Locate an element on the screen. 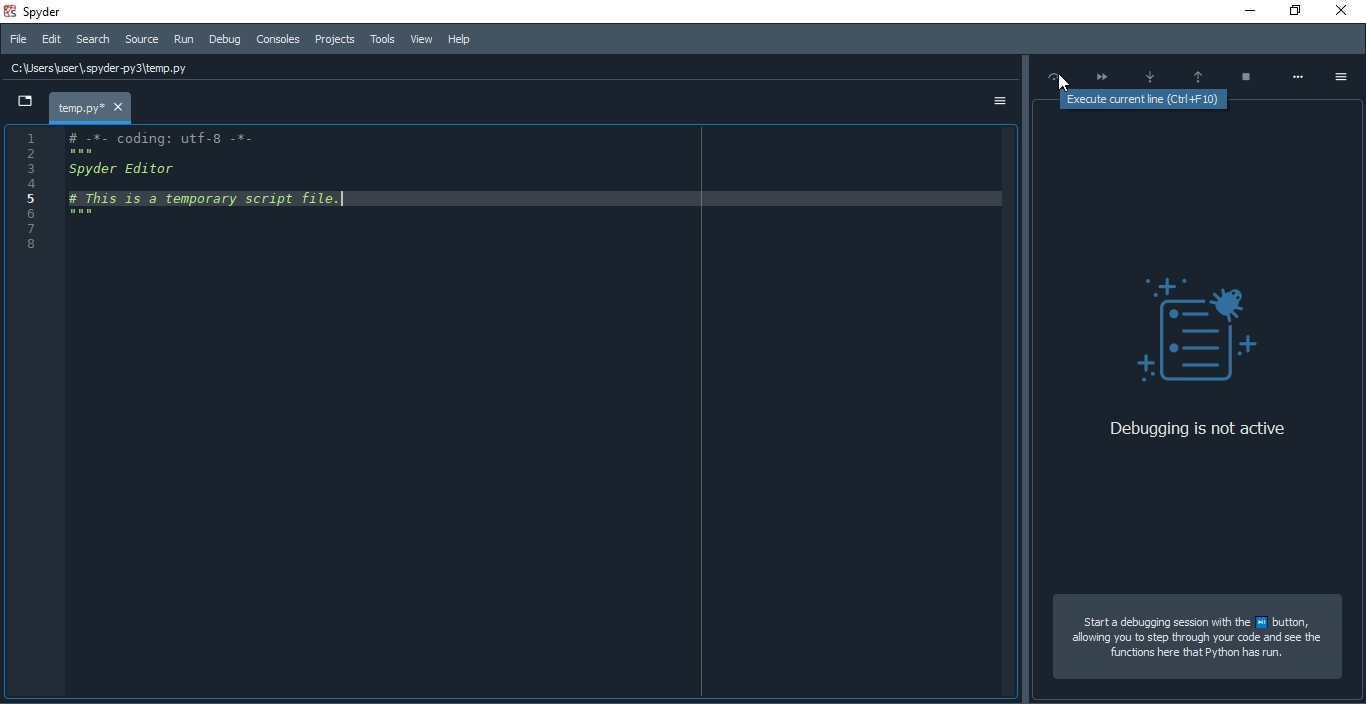  Consoles is located at coordinates (334, 39).